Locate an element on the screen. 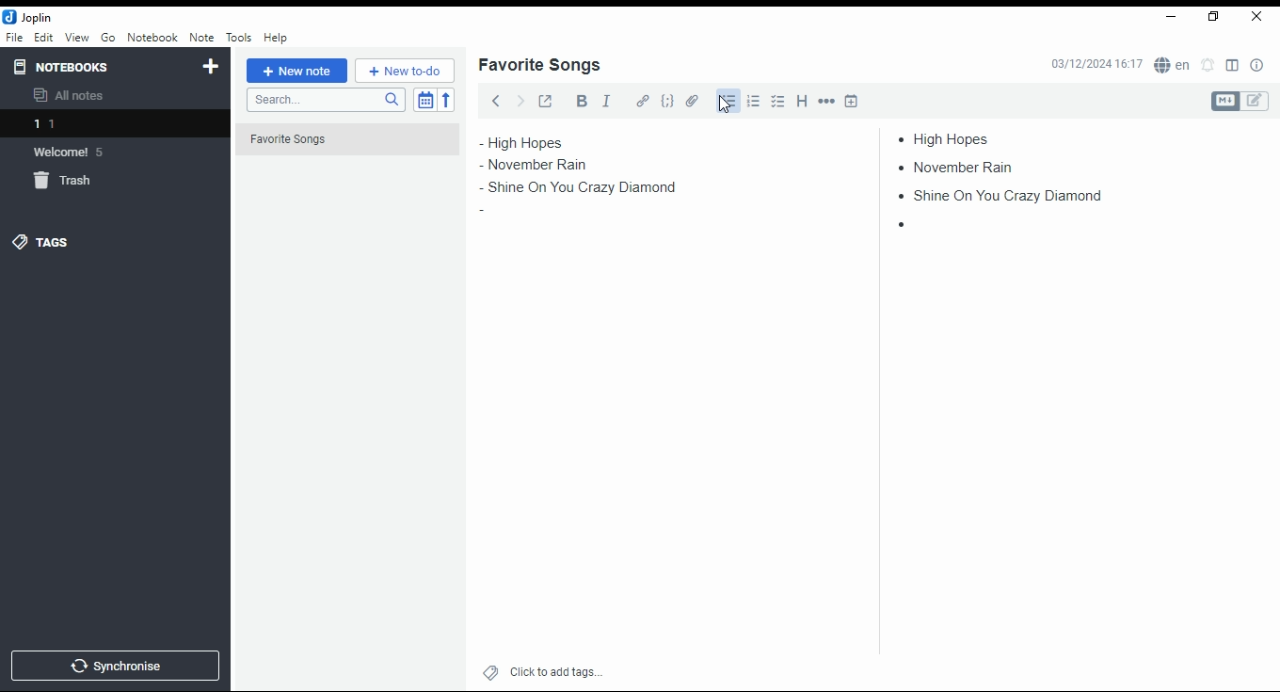  list name is located at coordinates (539, 66).